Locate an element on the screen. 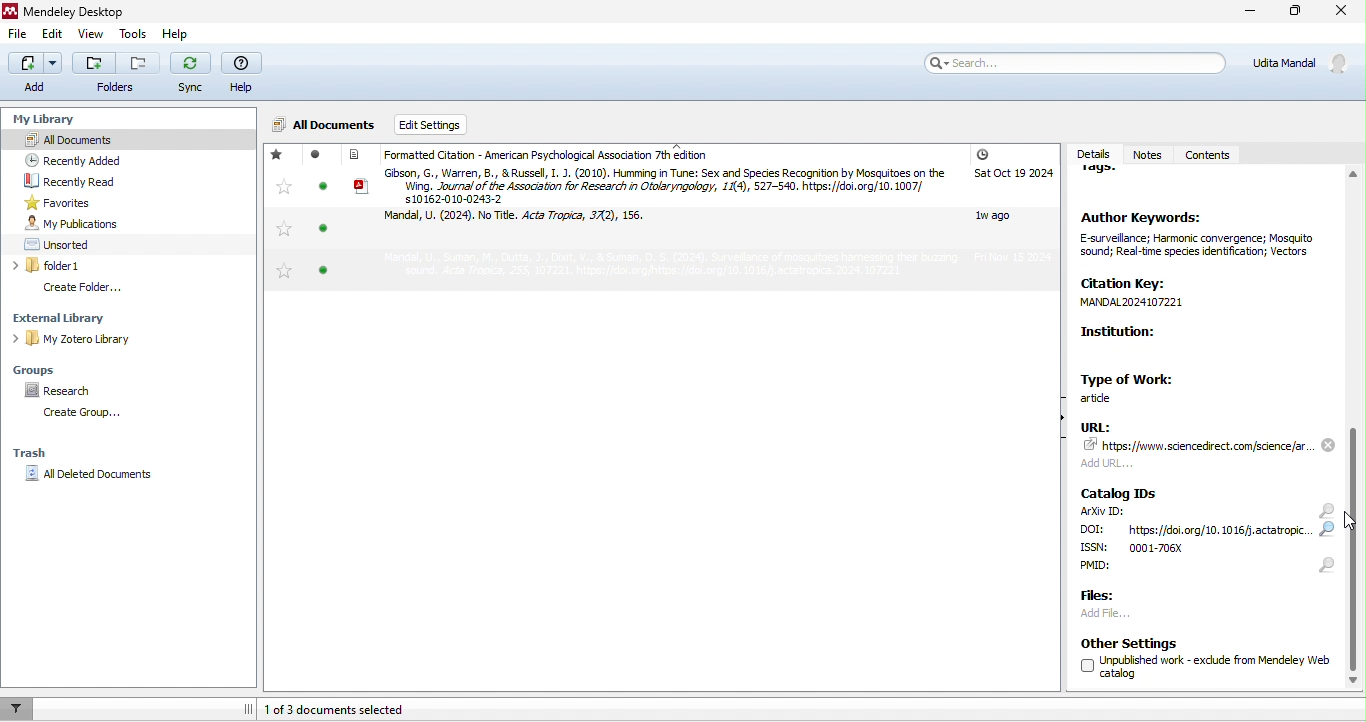  search is located at coordinates (1329, 538).